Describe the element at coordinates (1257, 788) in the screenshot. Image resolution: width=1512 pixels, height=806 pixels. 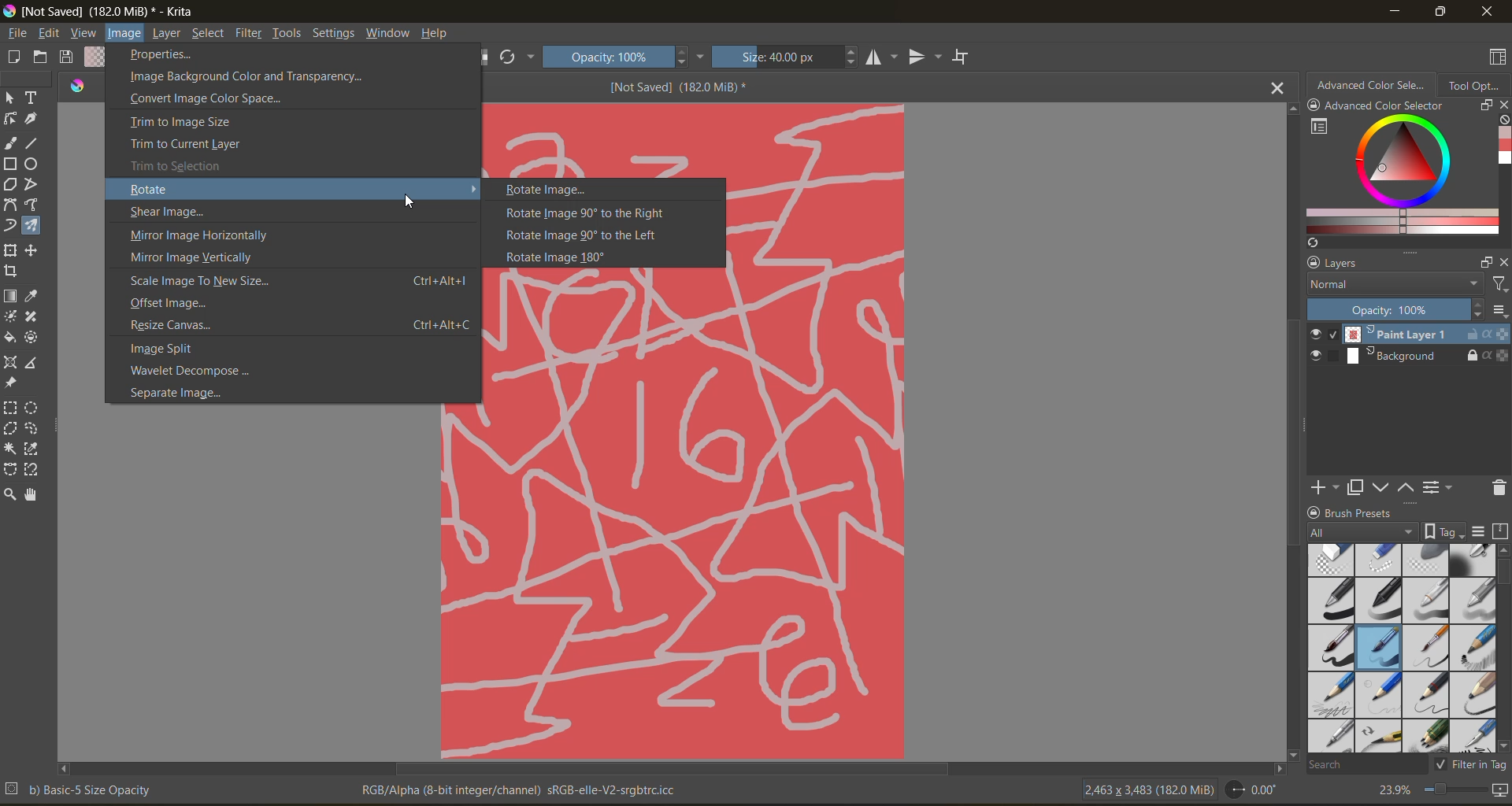
I see `rotate angle` at that location.